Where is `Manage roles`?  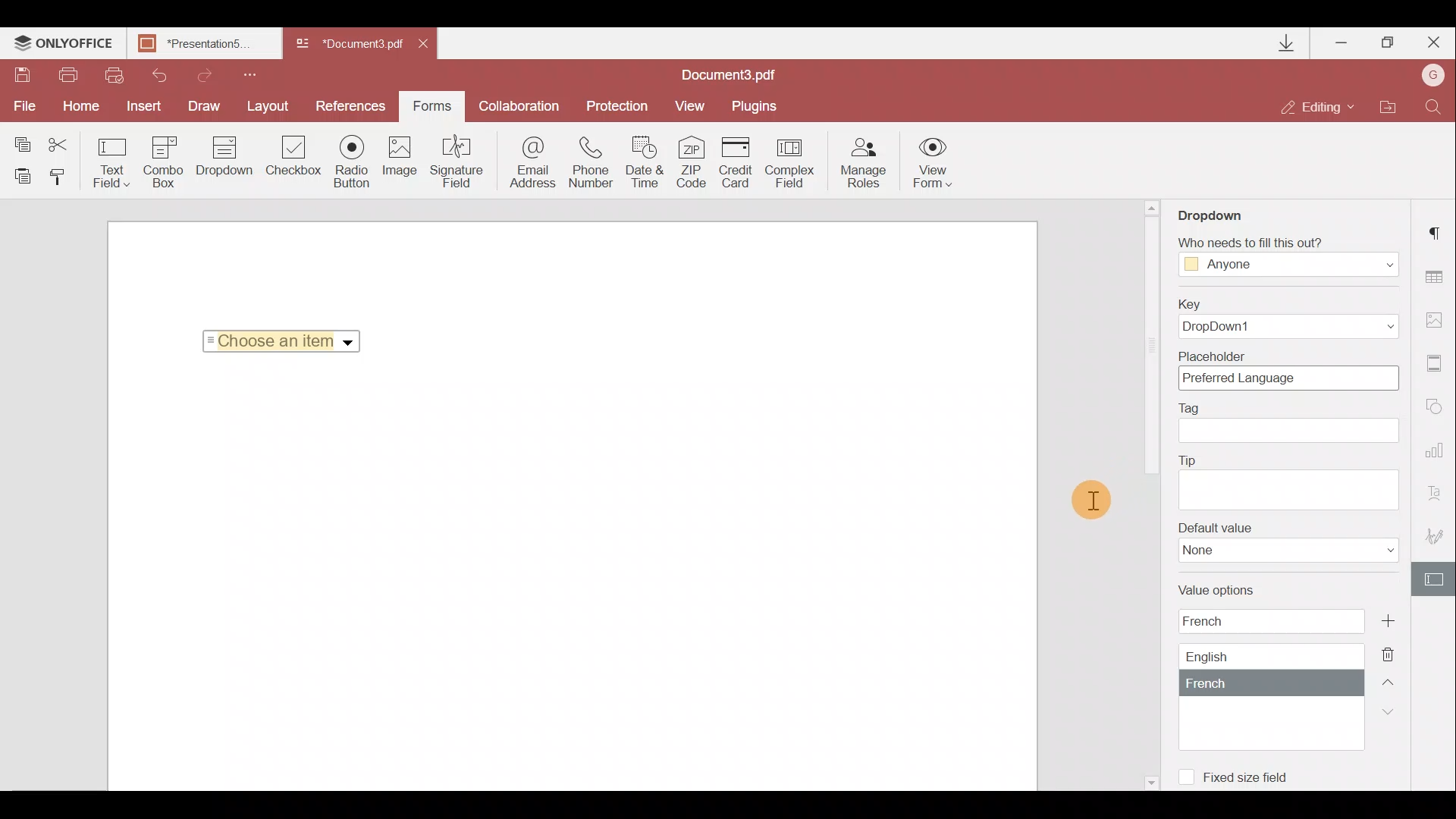
Manage roles is located at coordinates (863, 163).